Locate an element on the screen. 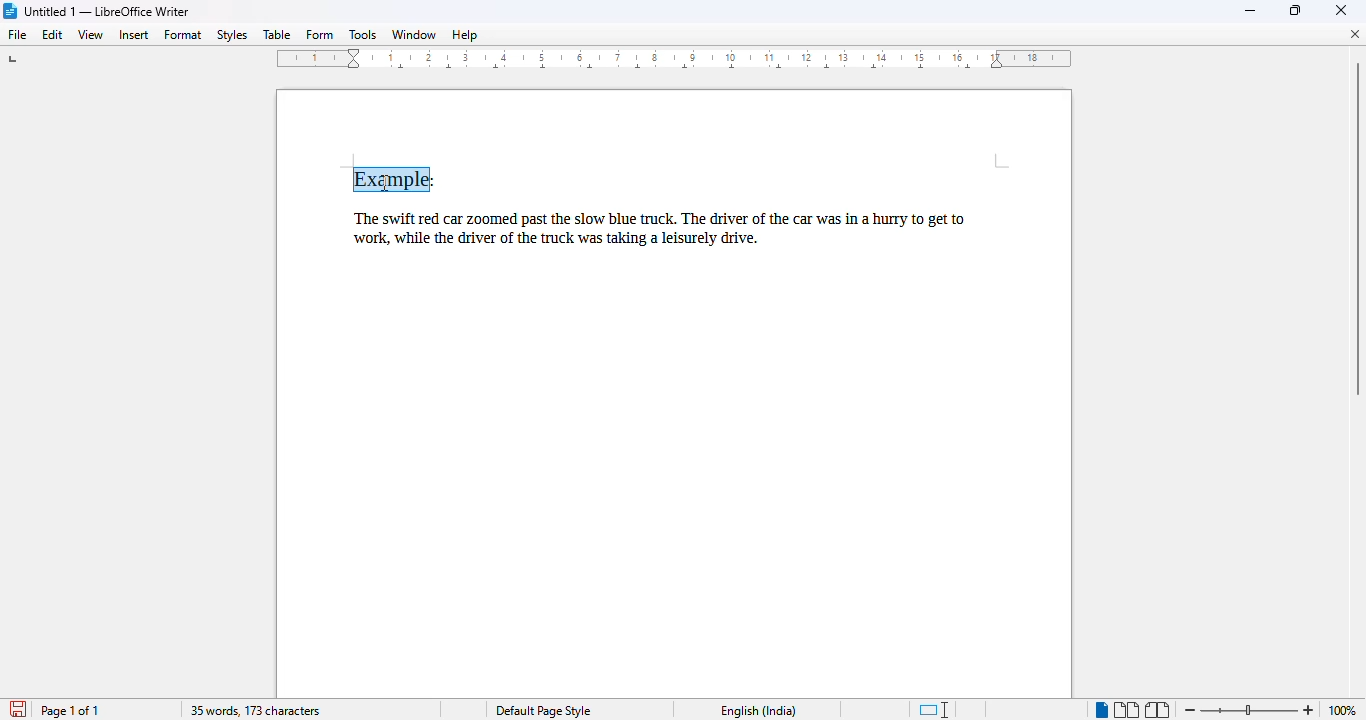 The image size is (1366, 720). zoom out is located at coordinates (1190, 710).